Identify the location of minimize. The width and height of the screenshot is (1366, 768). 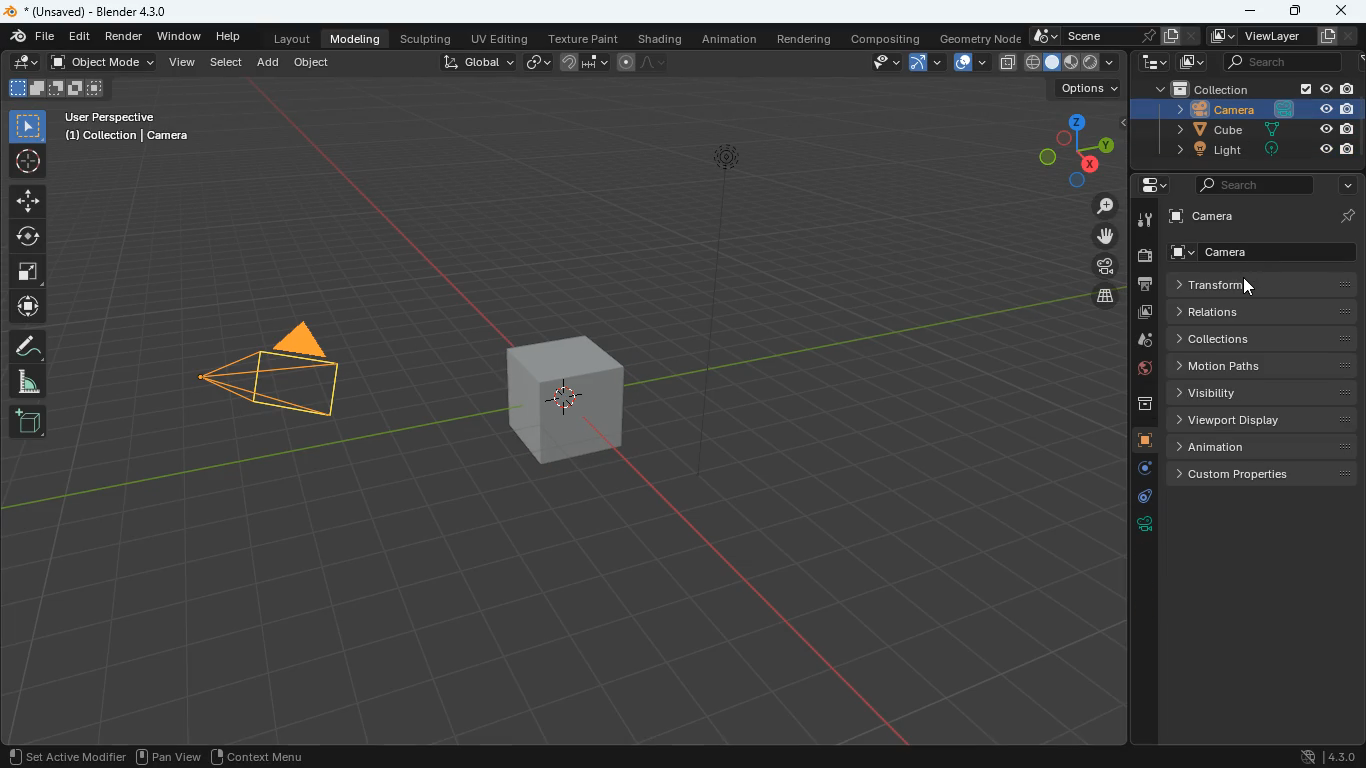
(1252, 12).